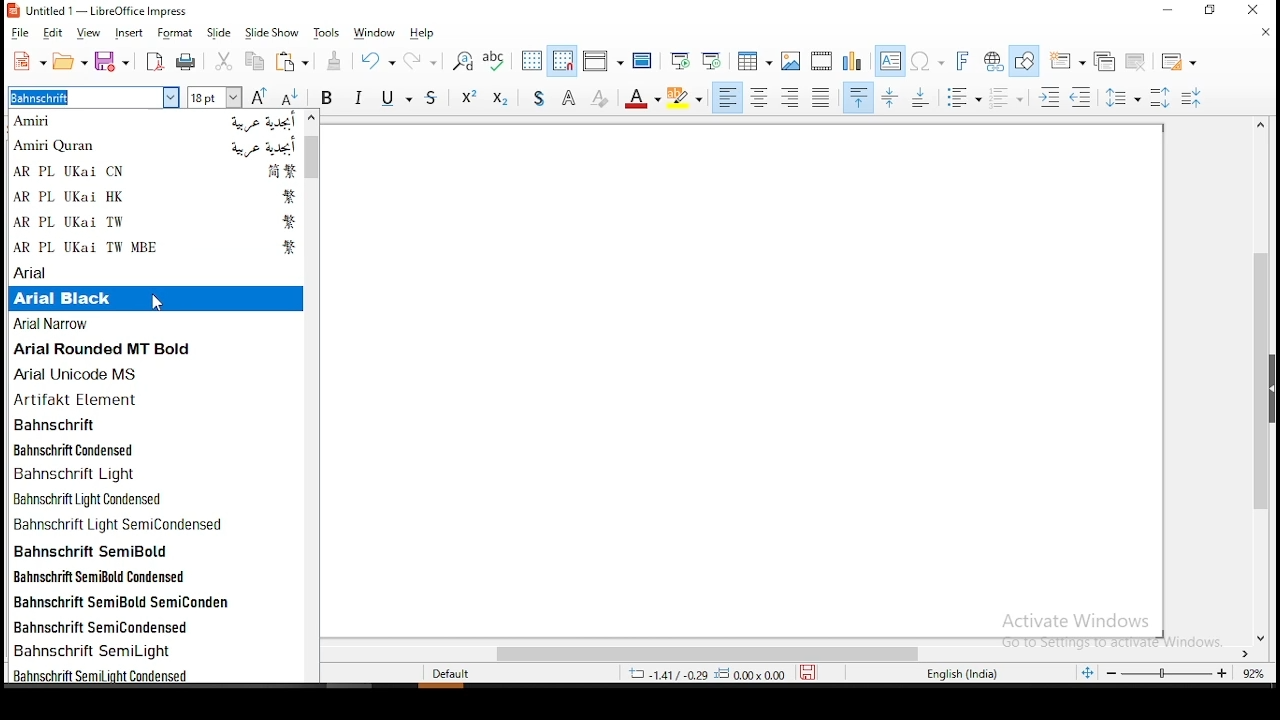 This screenshot has height=720, width=1280. What do you see at coordinates (469, 99) in the screenshot?
I see `superscript` at bounding box center [469, 99].